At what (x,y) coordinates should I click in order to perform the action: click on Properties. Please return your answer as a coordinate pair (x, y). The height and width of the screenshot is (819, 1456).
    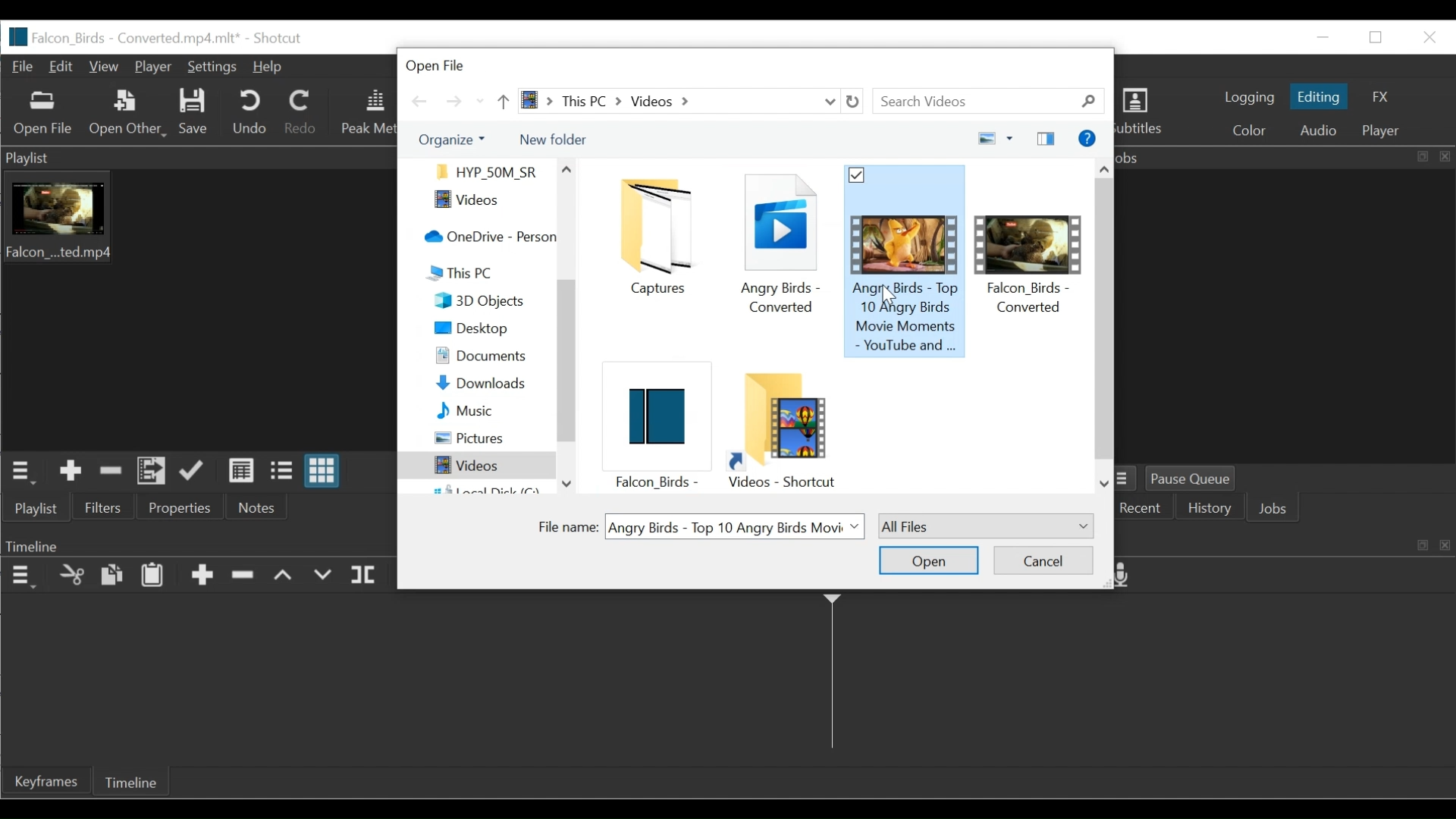
    Looking at the image, I should click on (184, 507).